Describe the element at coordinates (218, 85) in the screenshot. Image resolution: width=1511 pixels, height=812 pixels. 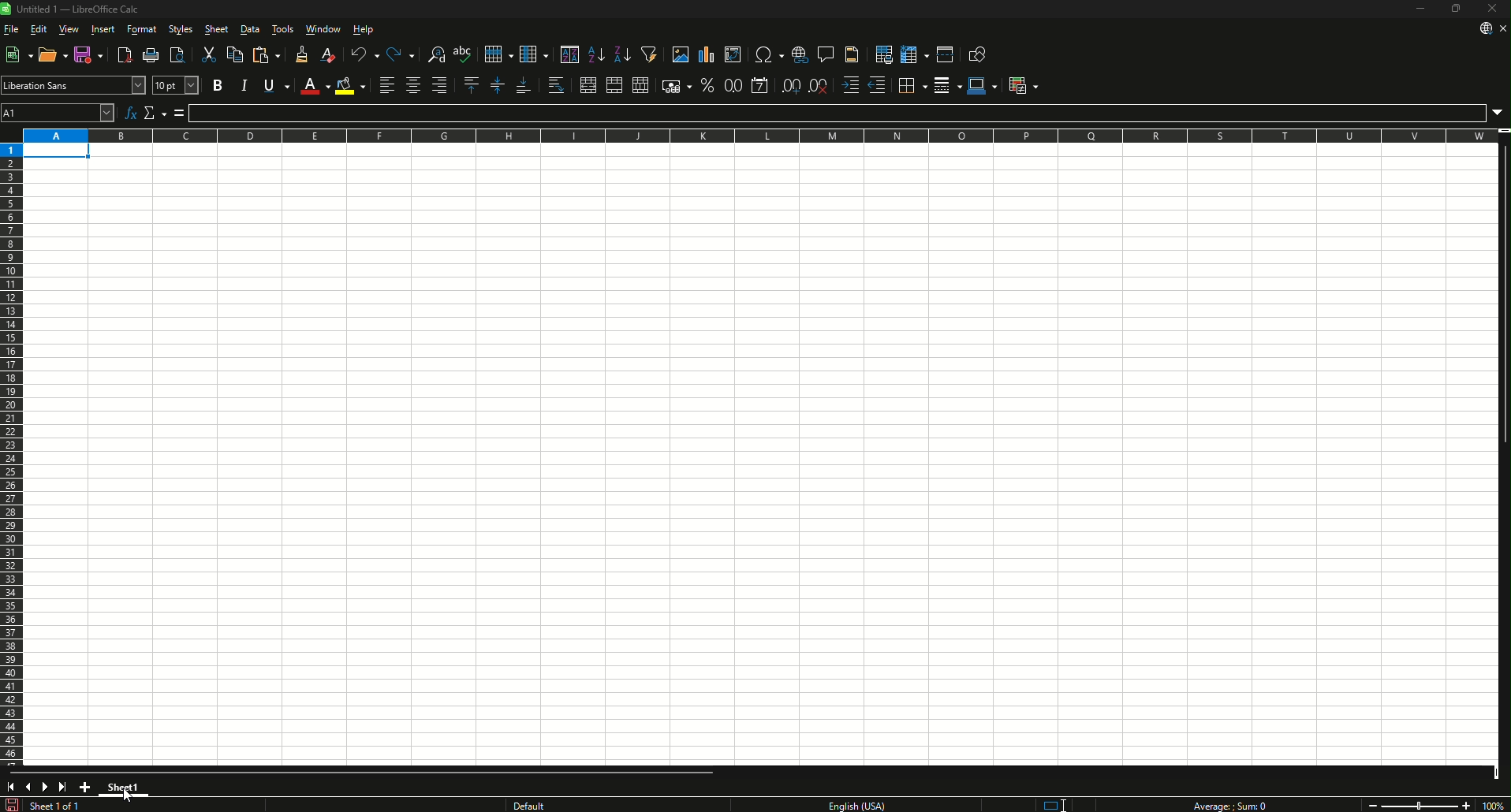
I see `Bold` at that location.